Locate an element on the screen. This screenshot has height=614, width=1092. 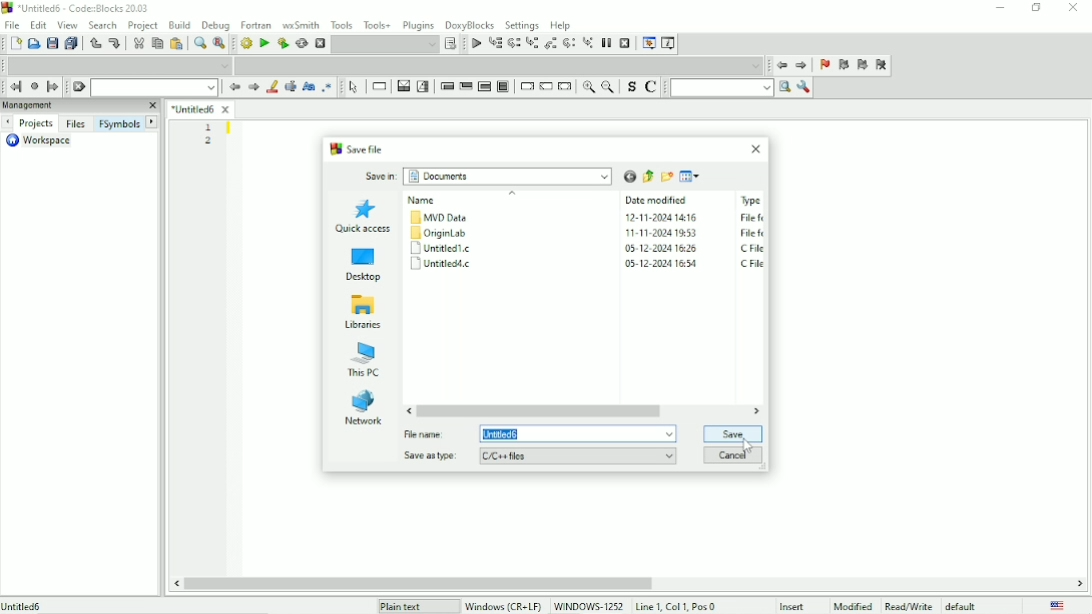
Run search is located at coordinates (731, 88).